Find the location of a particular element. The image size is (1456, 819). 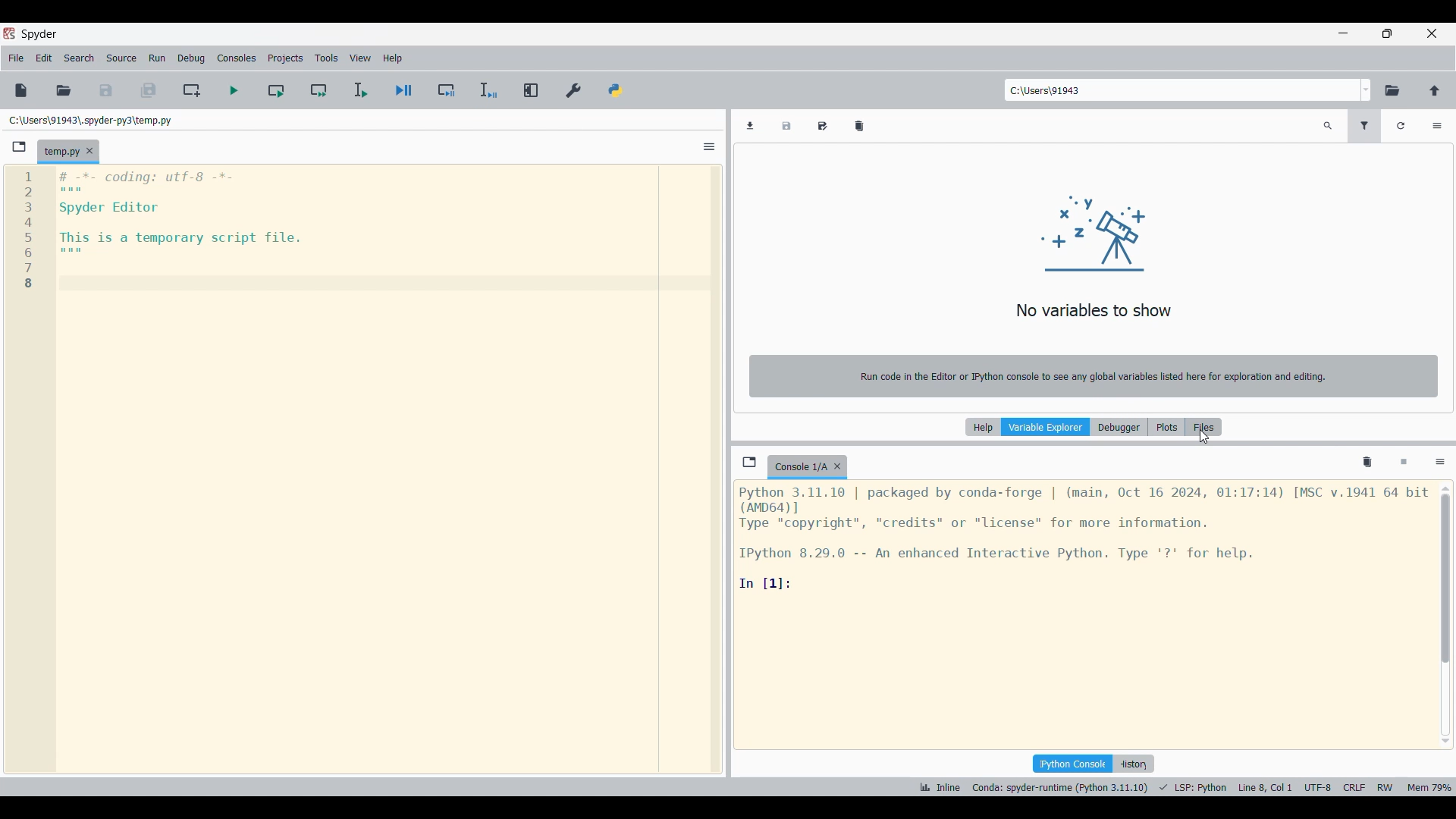

Debug file is located at coordinates (404, 90).